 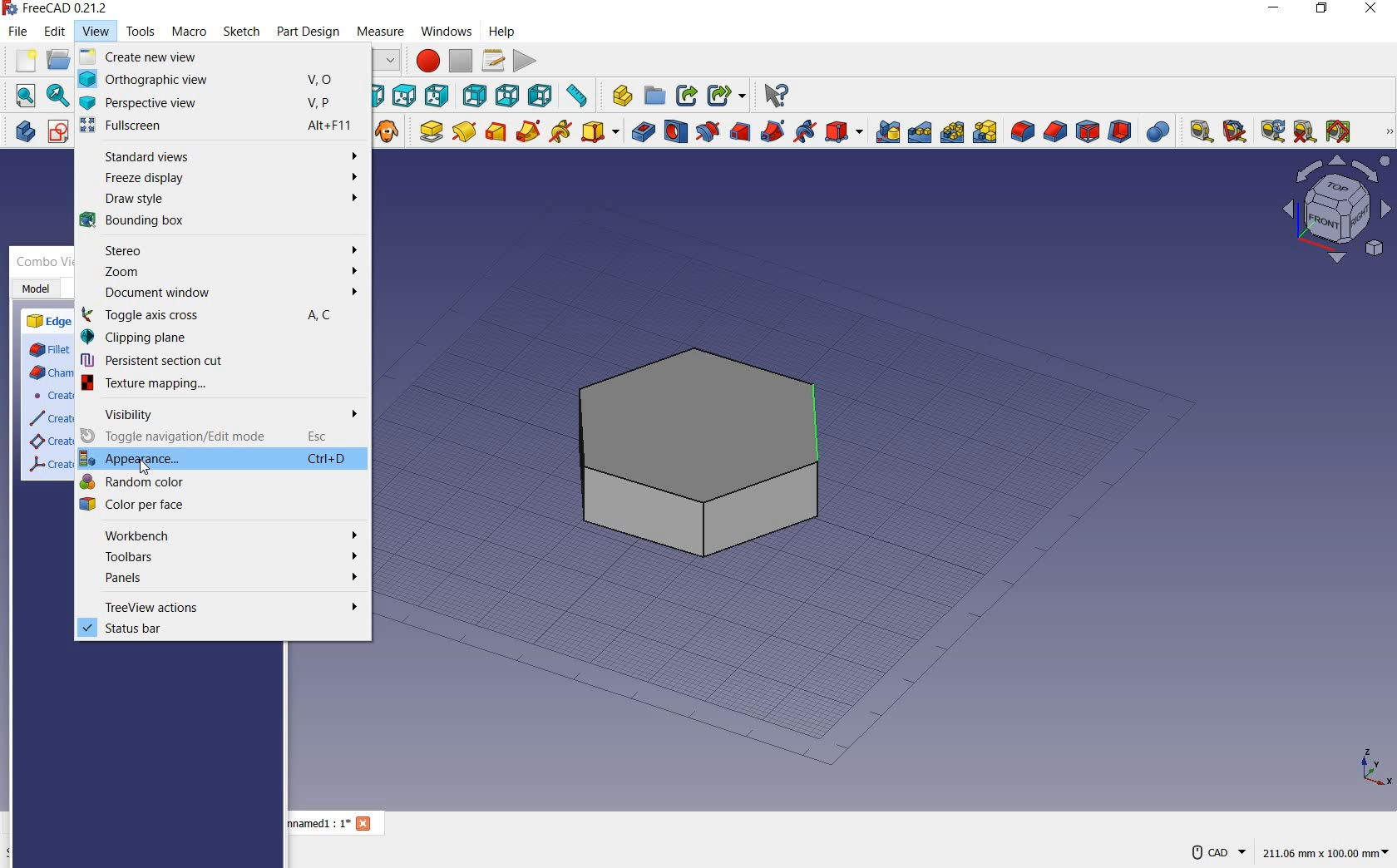 I want to click on hole, so click(x=674, y=131).